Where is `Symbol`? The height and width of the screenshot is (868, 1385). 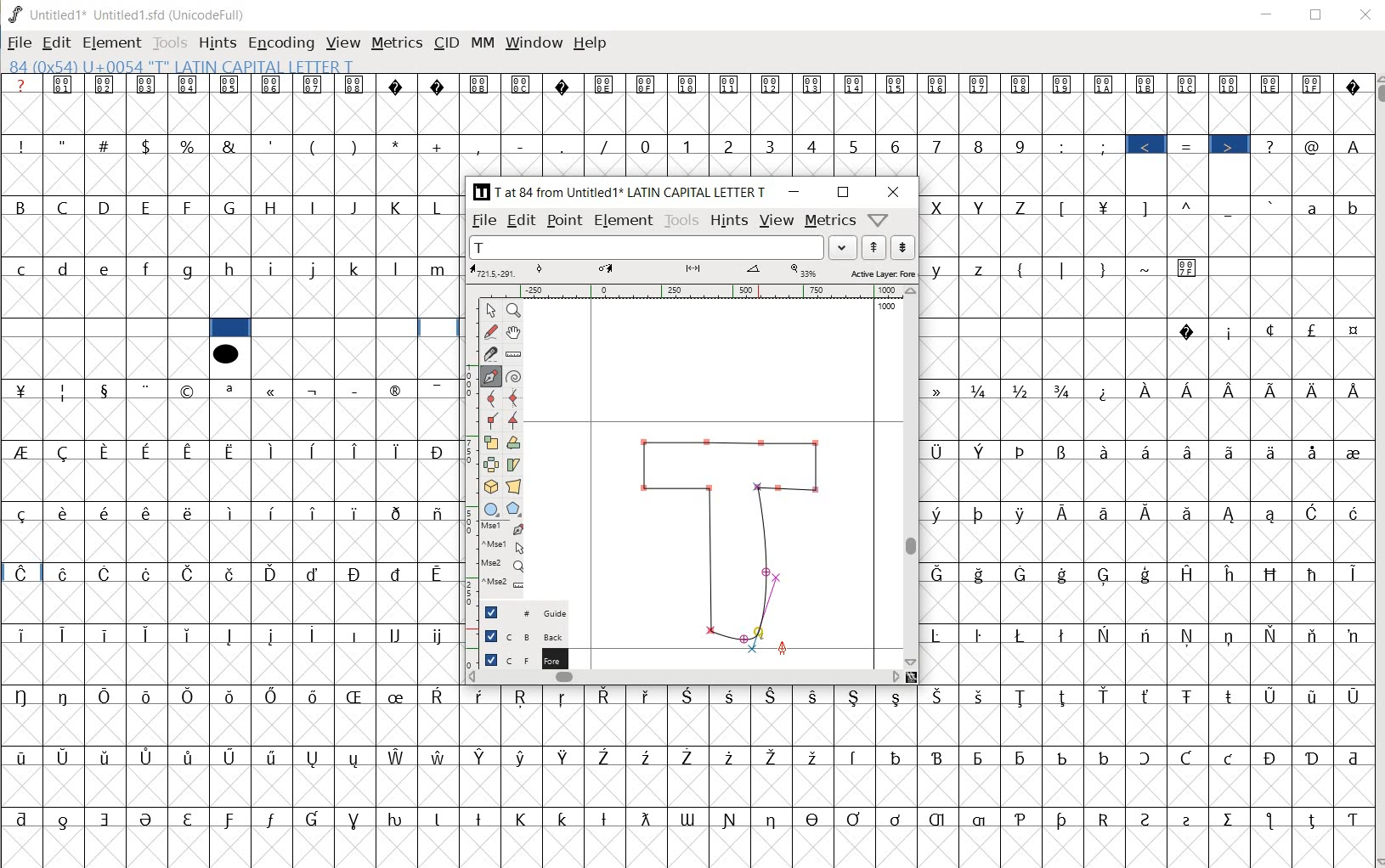 Symbol is located at coordinates (108, 633).